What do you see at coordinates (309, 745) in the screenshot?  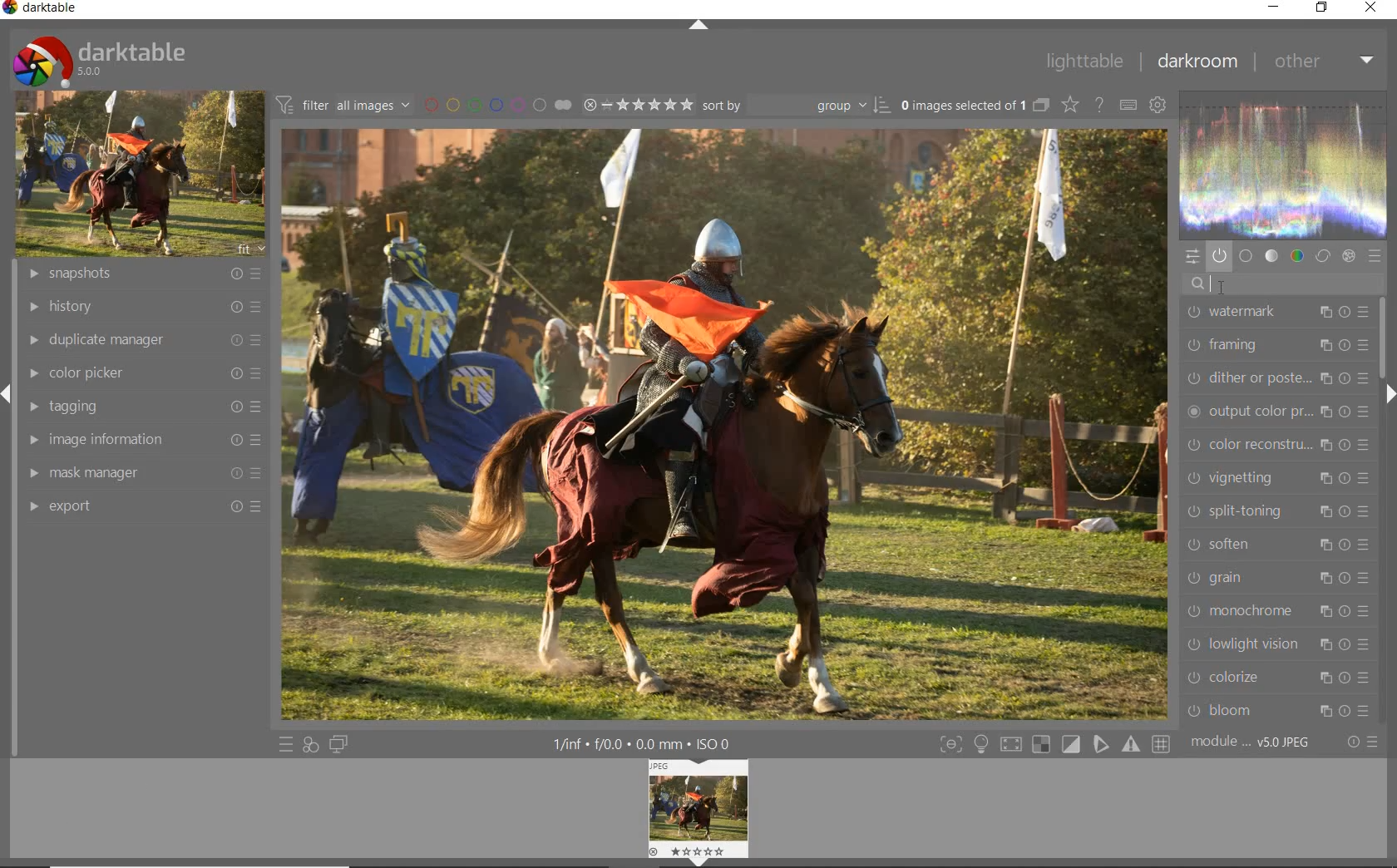 I see `quick access for applying any of your styles` at bounding box center [309, 745].